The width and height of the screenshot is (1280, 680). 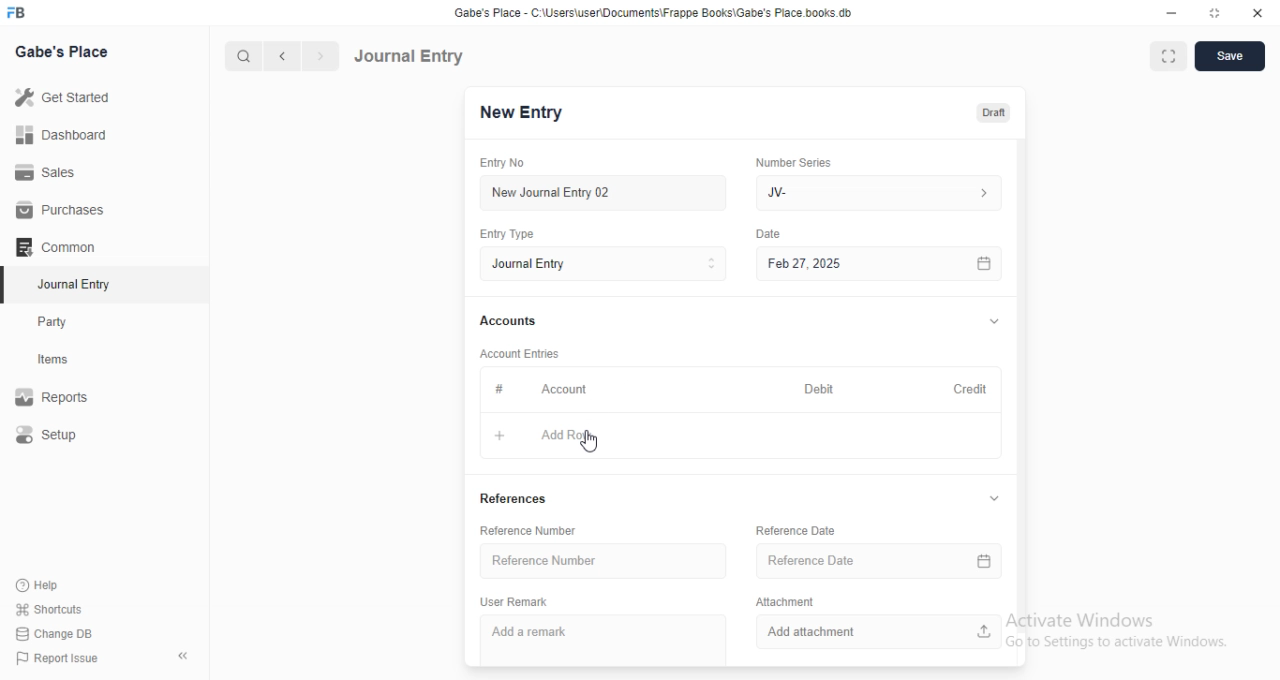 What do you see at coordinates (514, 321) in the screenshot?
I see `Accounts` at bounding box center [514, 321].